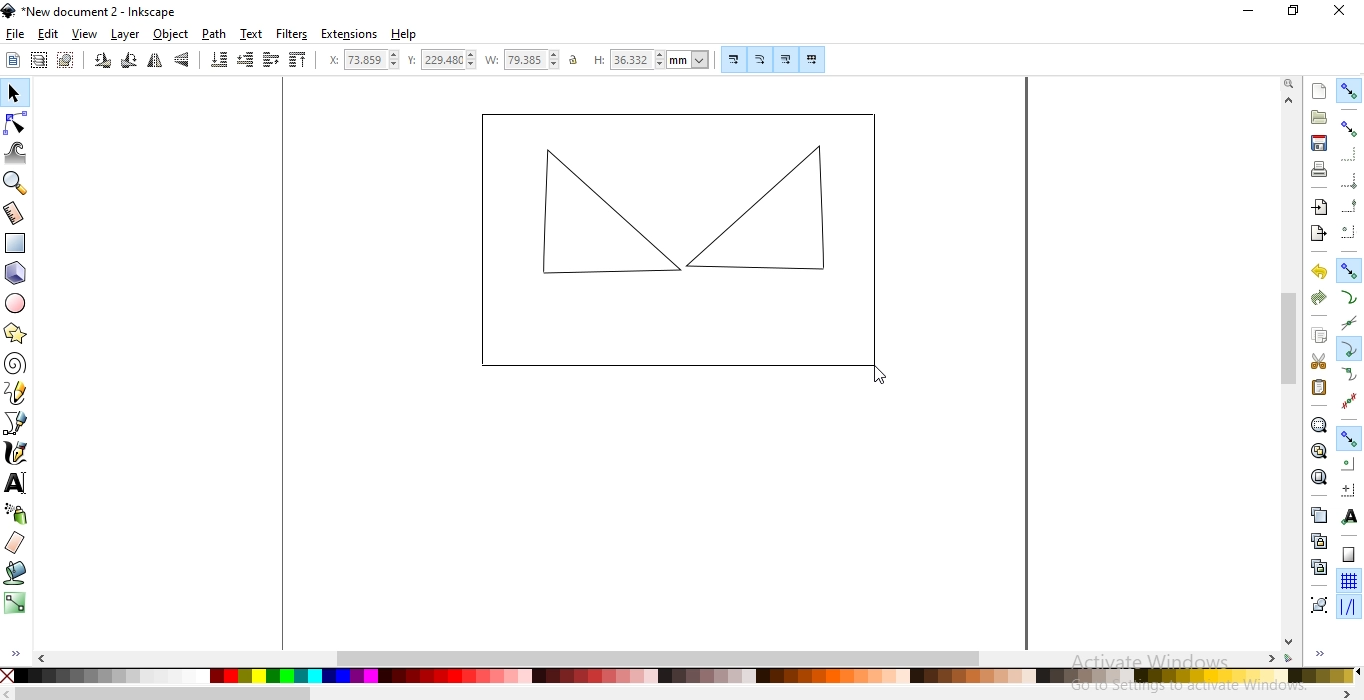 Image resolution: width=1364 pixels, height=700 pixels. What do you see at coordinates (1319, 477) in the screenshot?
I see `zoom to fit page` at bounding box center [1319, 477].